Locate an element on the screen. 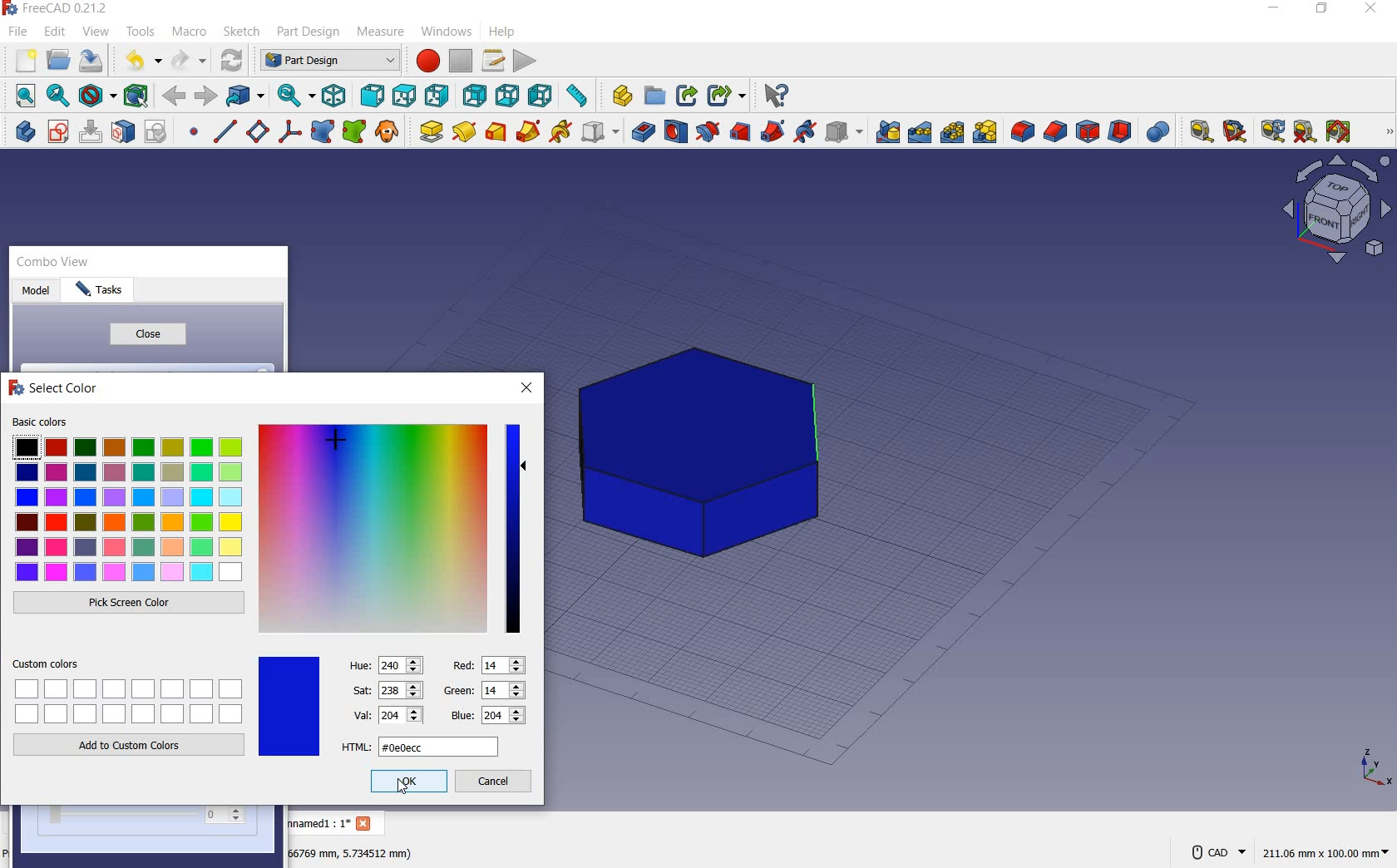 This screenshot has height=868, width=1397. 66759 mm,5.734512 mm(DIMENSION) is located at coordinates (351, 852).